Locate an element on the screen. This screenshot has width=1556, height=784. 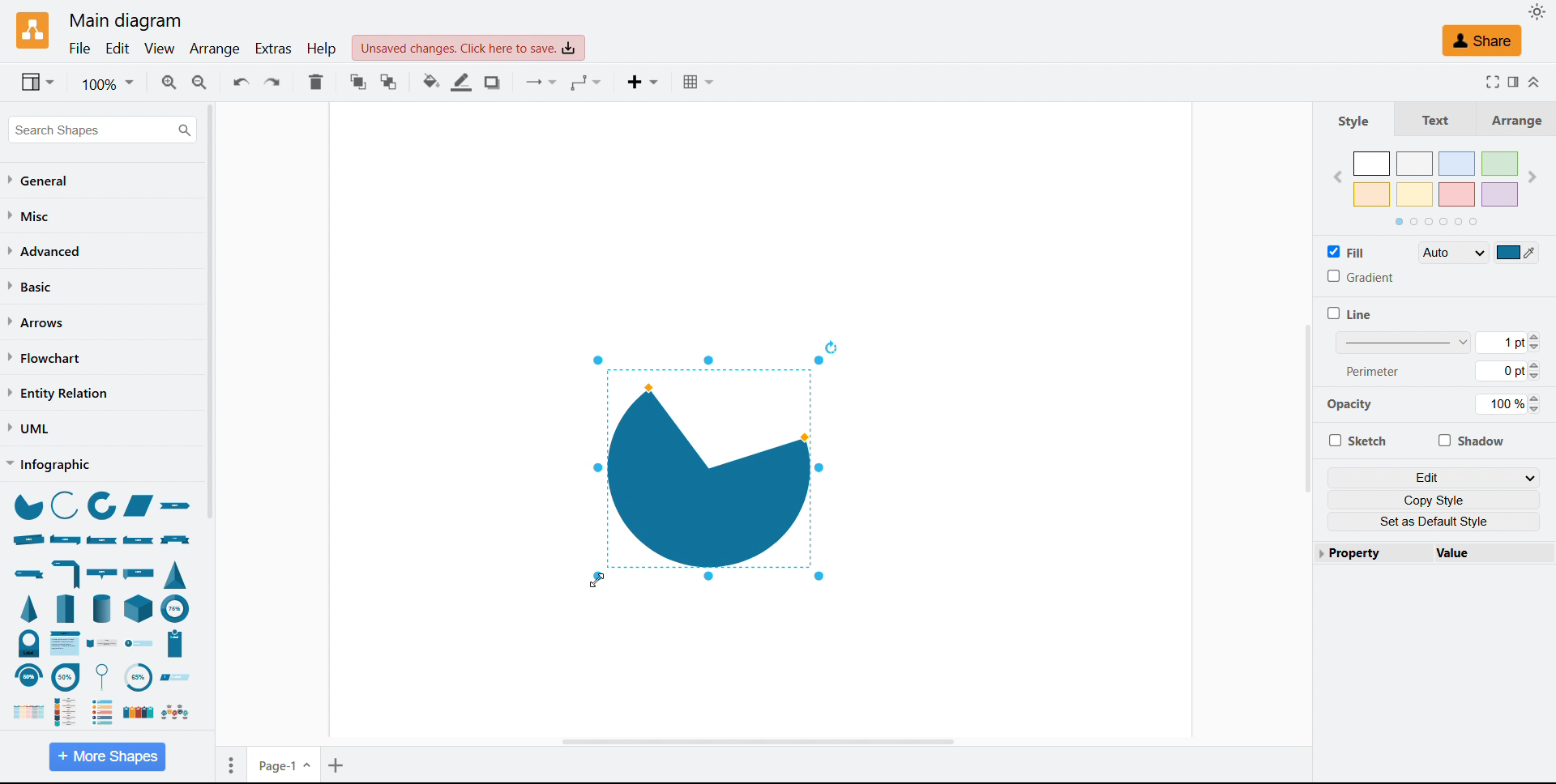
ribbon front fold is located at coordinates (103, 540).